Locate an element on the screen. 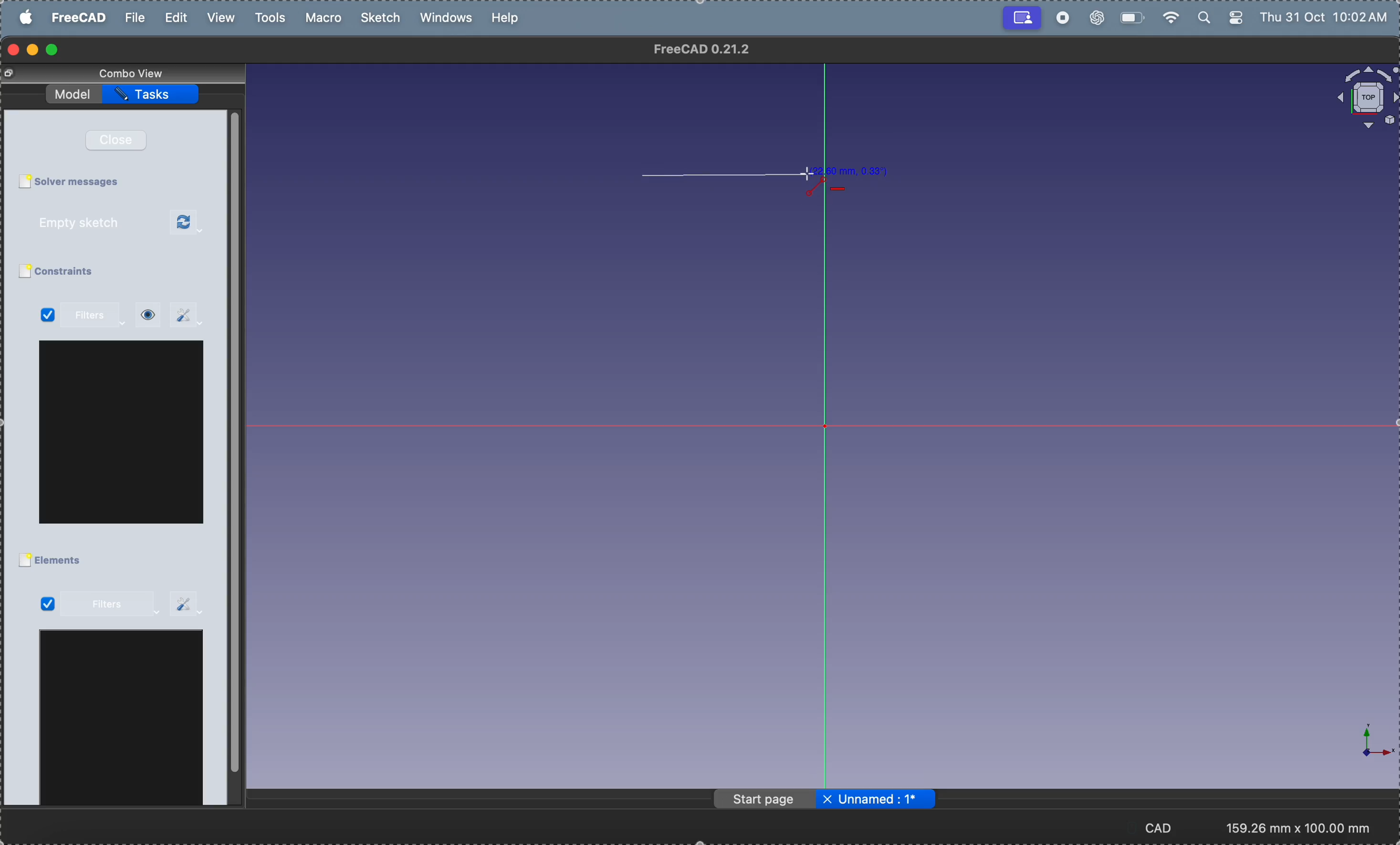 The image size is (1400, 845). record is located at coordinates (1062, 18).